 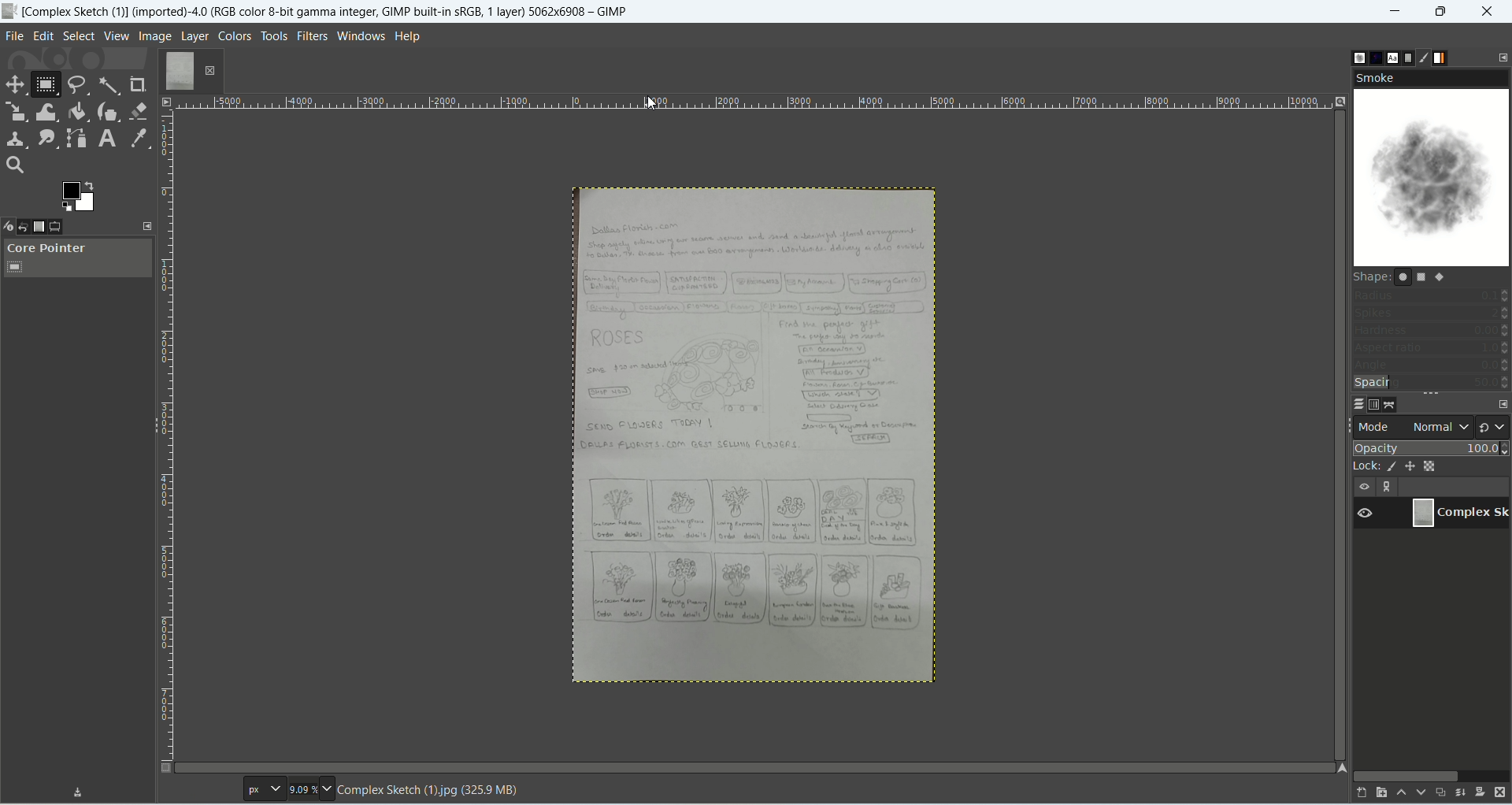 I want to click on create a new layer and add it to image, so click(x=1361, y=794).